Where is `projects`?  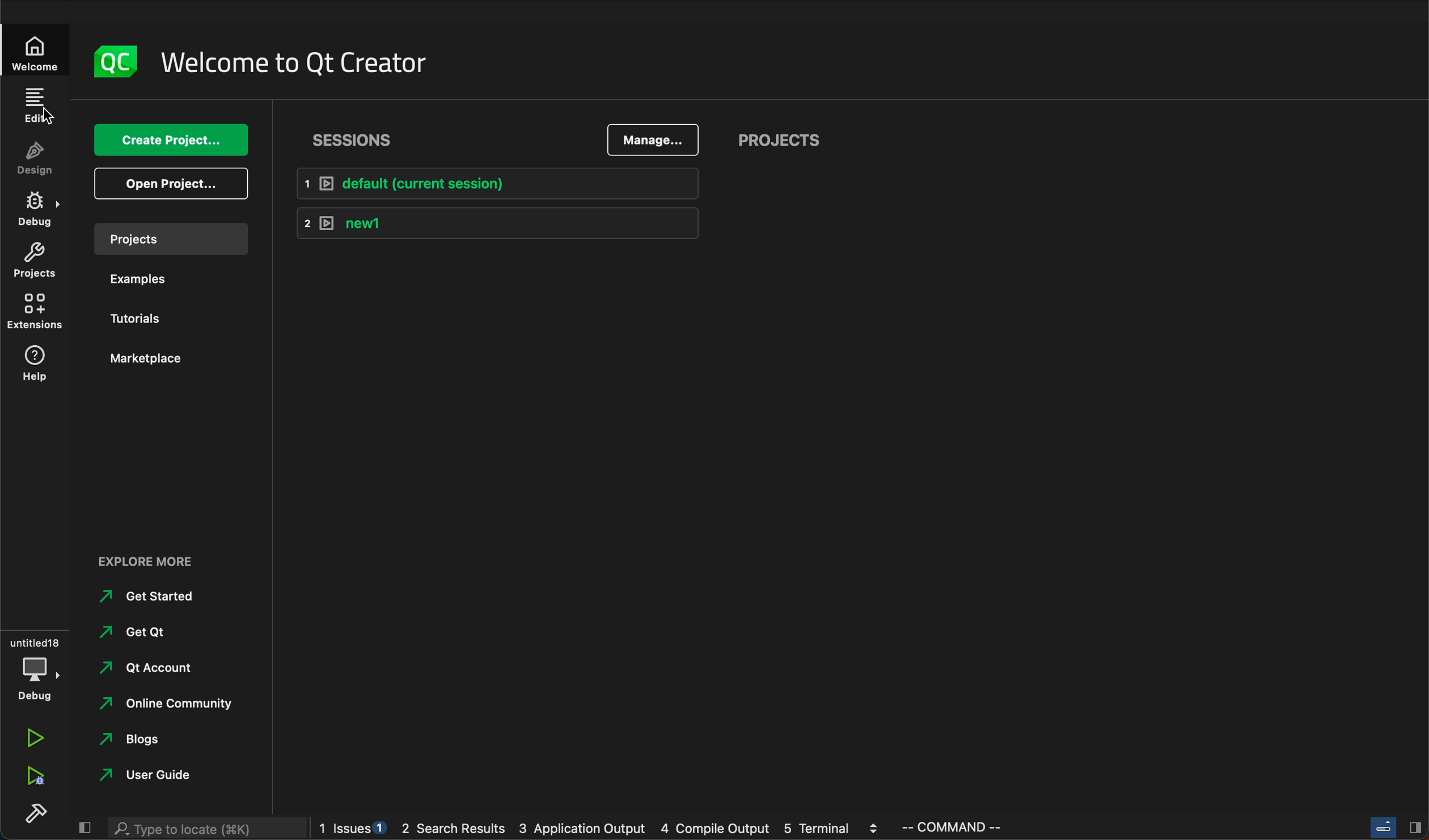 projects is located at coordinates (779, 142).